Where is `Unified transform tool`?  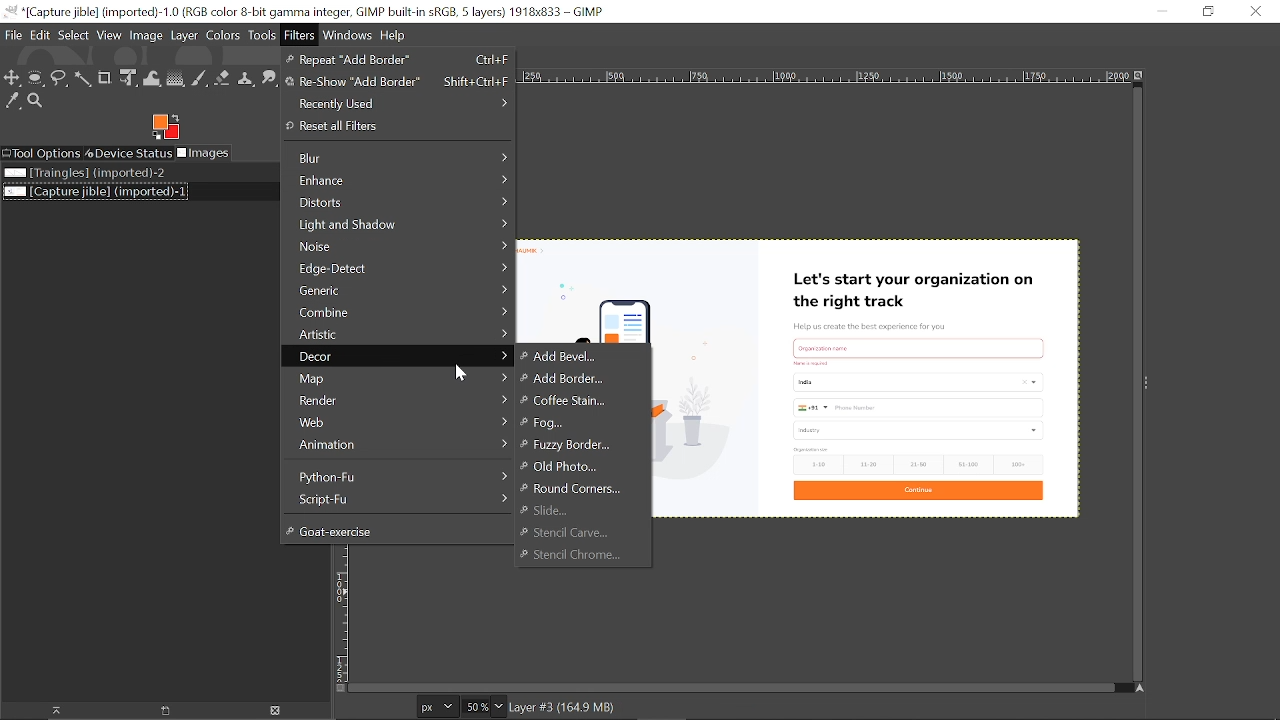 Unified transform tool is located at coordinates (128, 79).